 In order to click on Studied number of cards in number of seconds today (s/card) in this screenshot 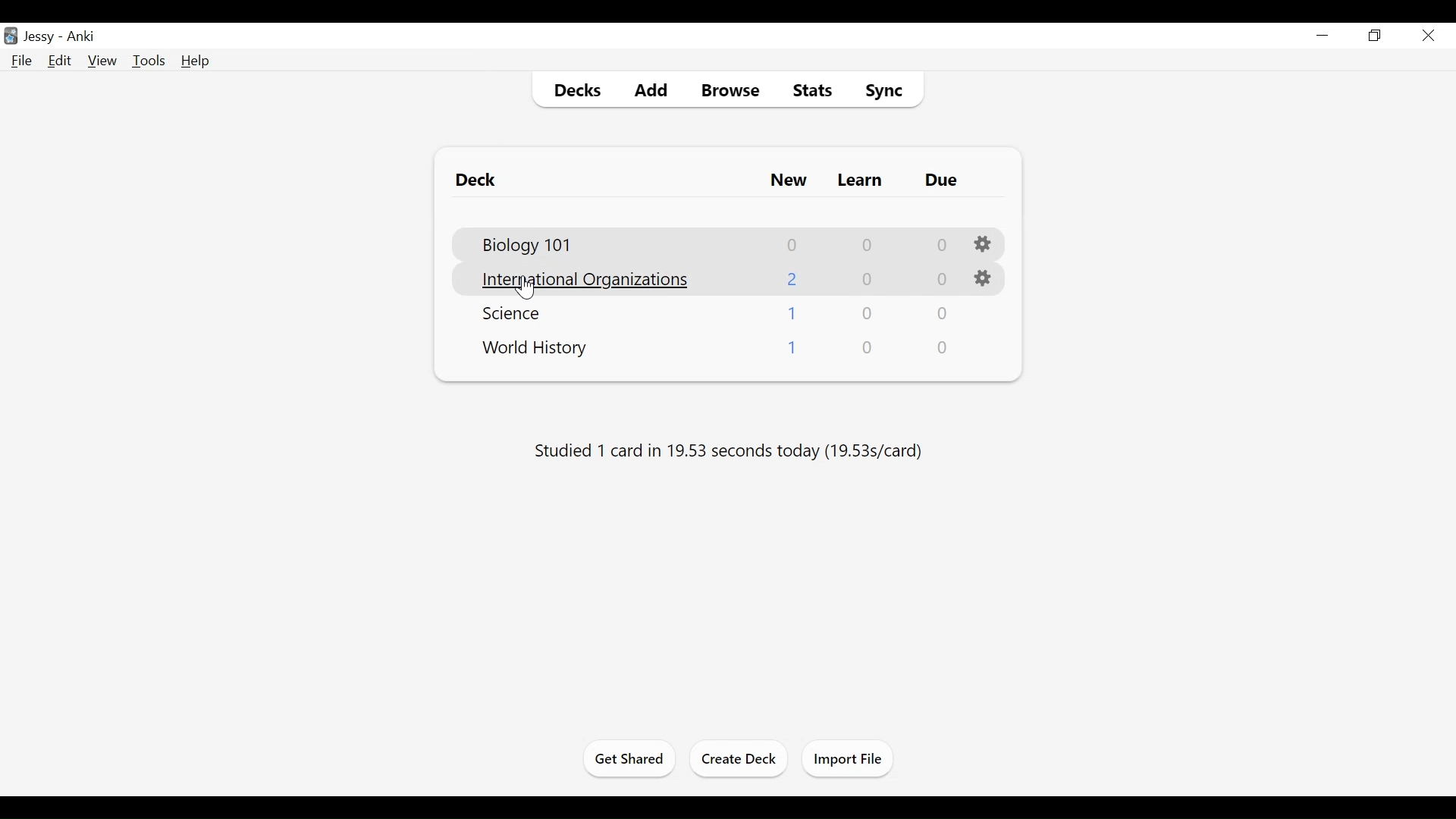, I will do `click(729, 452)`.